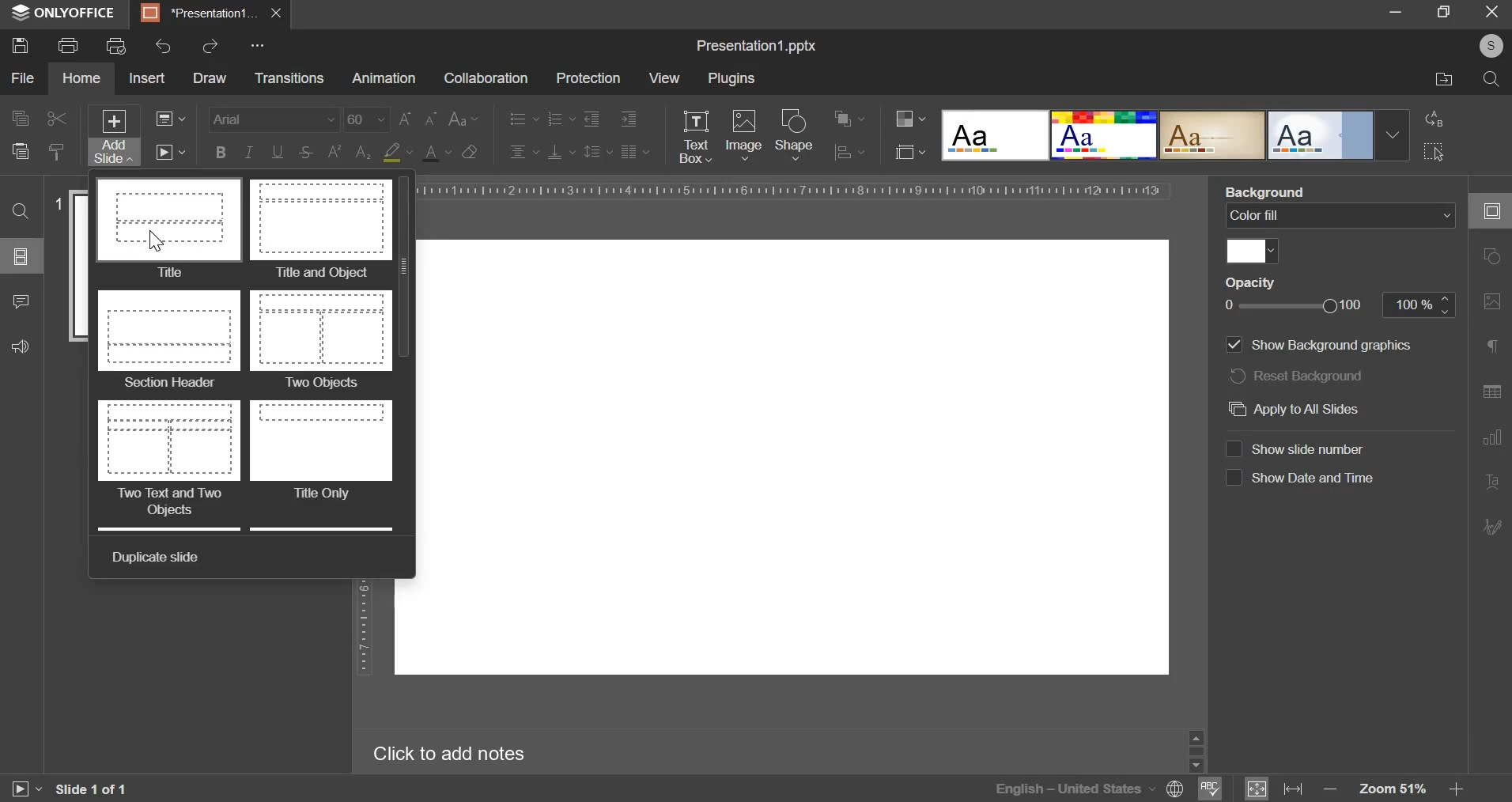 The image size is (1512, 802). Describe the element at coordinates (562, 151) in the screenshot. I see `vertical alignment` at that location.